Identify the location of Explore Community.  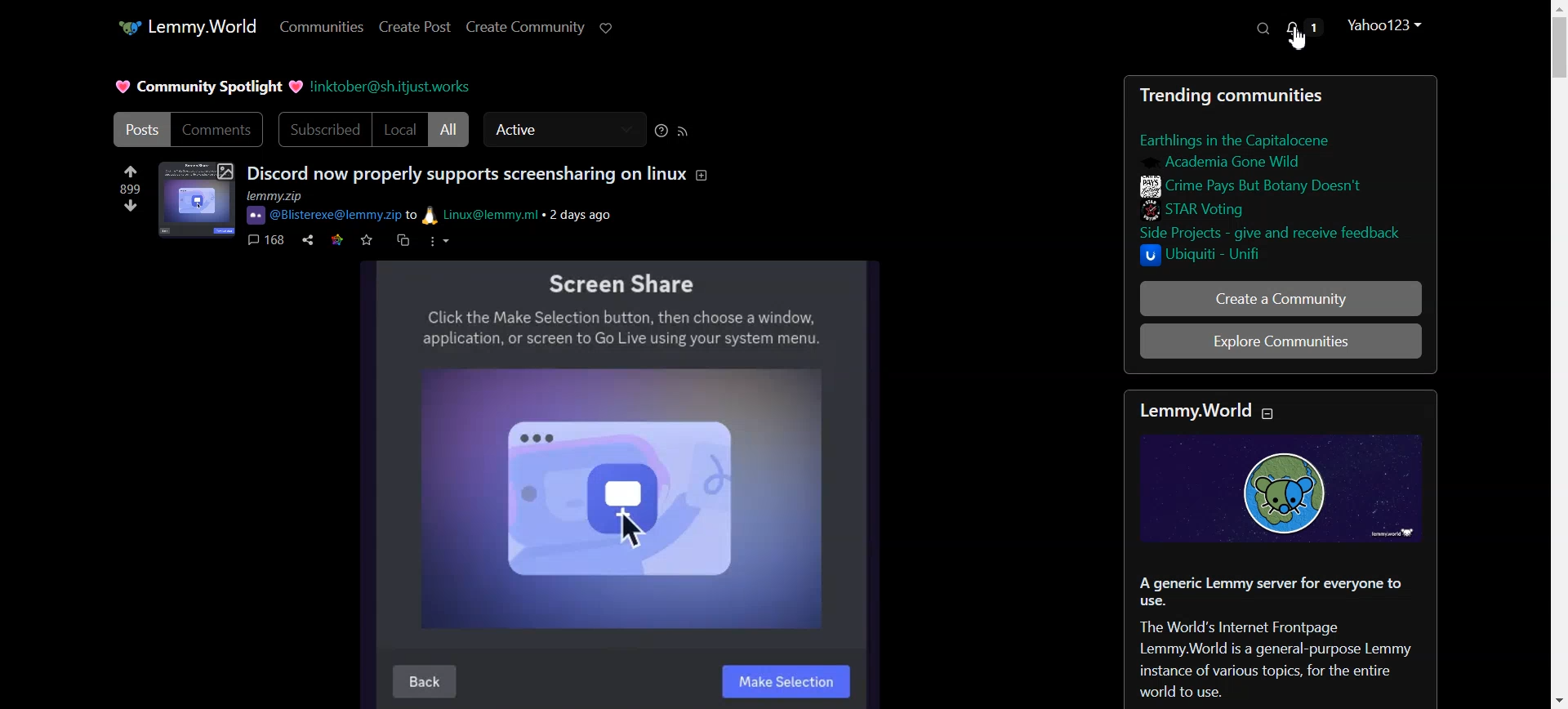
(1205, 340).